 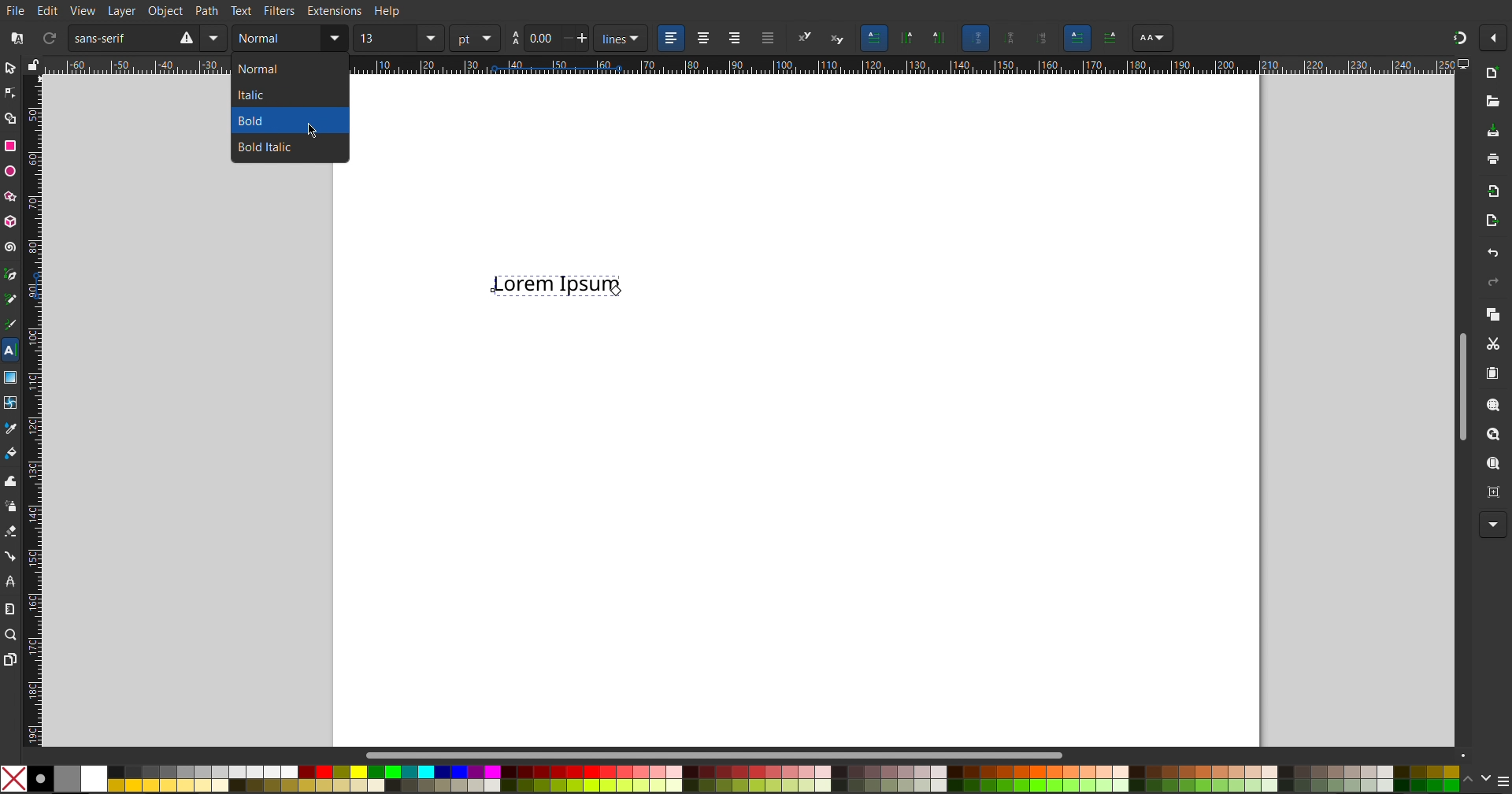 I want to click on Scrollbar, so click(x=1462, y=382).